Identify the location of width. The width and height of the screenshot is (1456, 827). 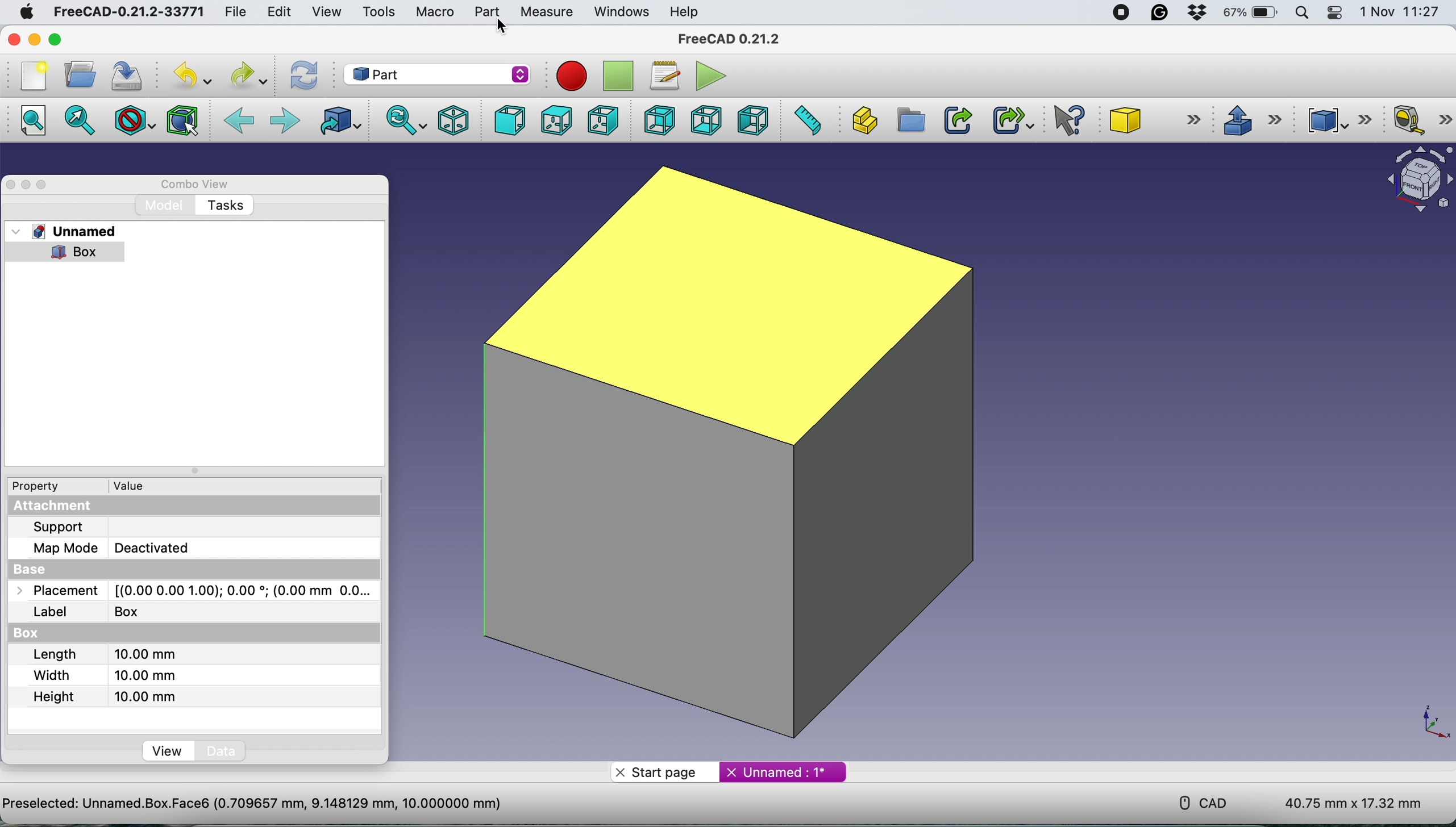
(102, 675).